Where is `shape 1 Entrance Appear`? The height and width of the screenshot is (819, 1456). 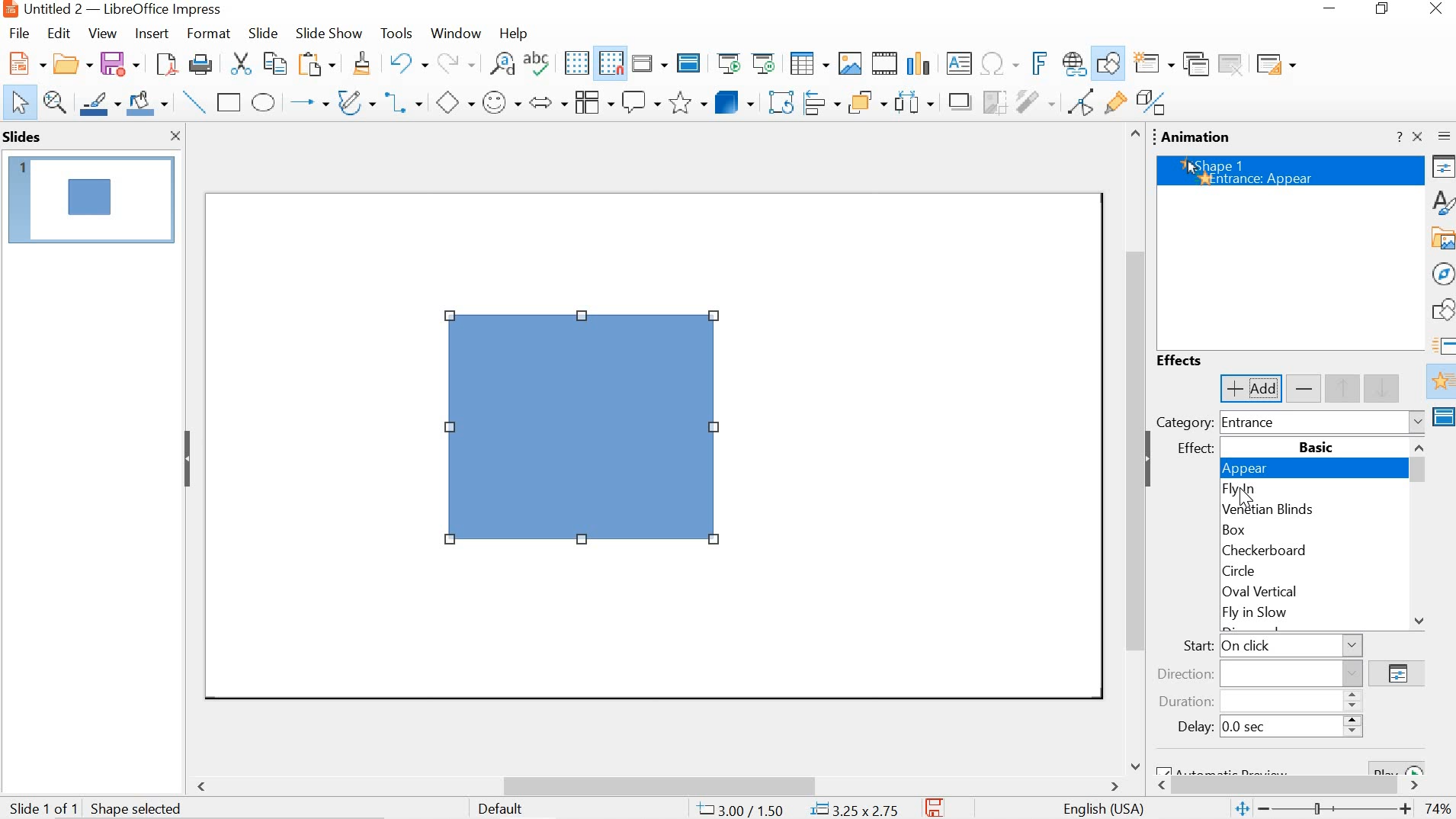
shape 1 Entrance Appear is located at coordinates (1291, 171).